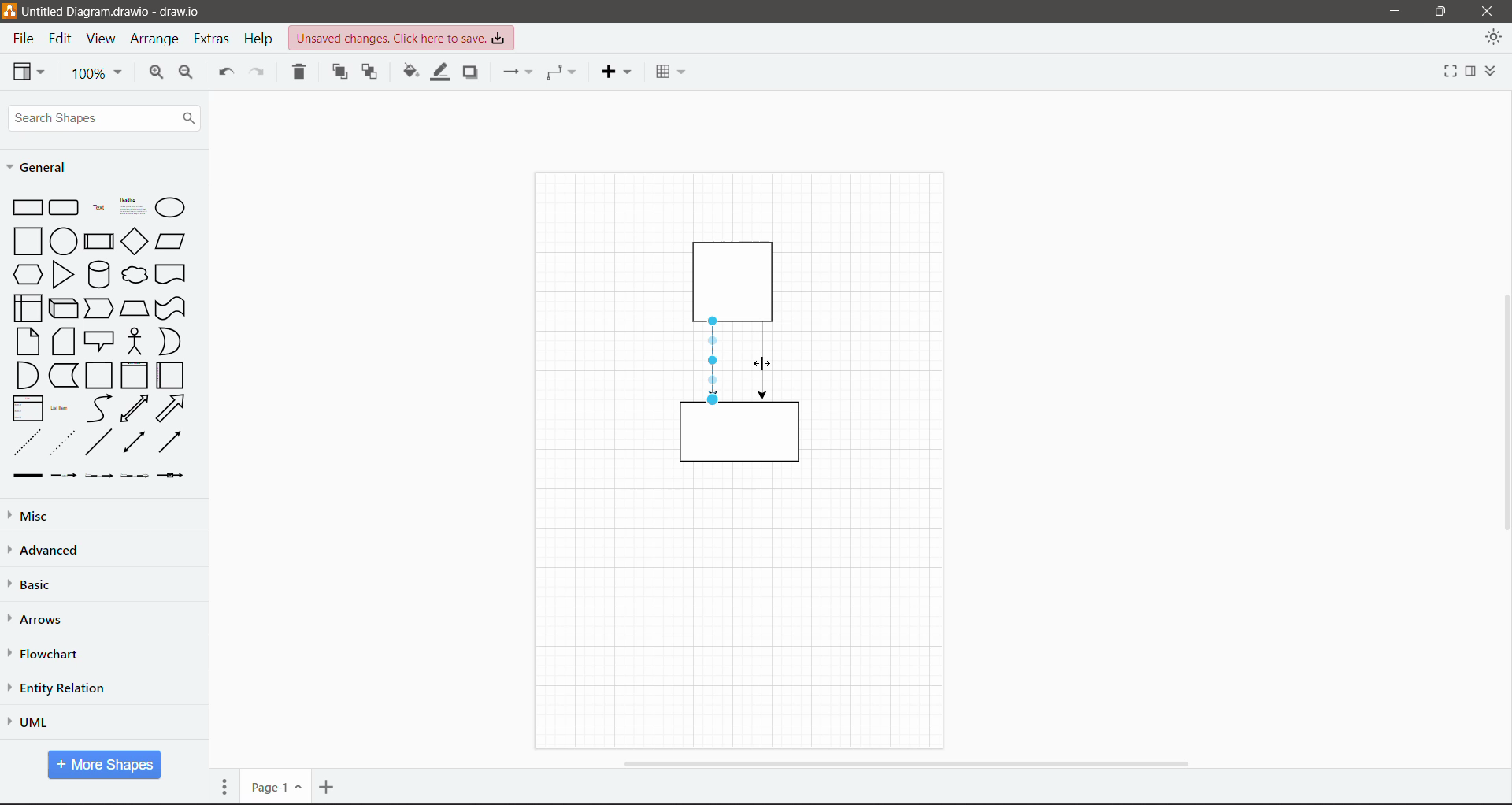  Describe the element at coordinates (132, 206) in the screenshot. I see `Textbox` at that location.